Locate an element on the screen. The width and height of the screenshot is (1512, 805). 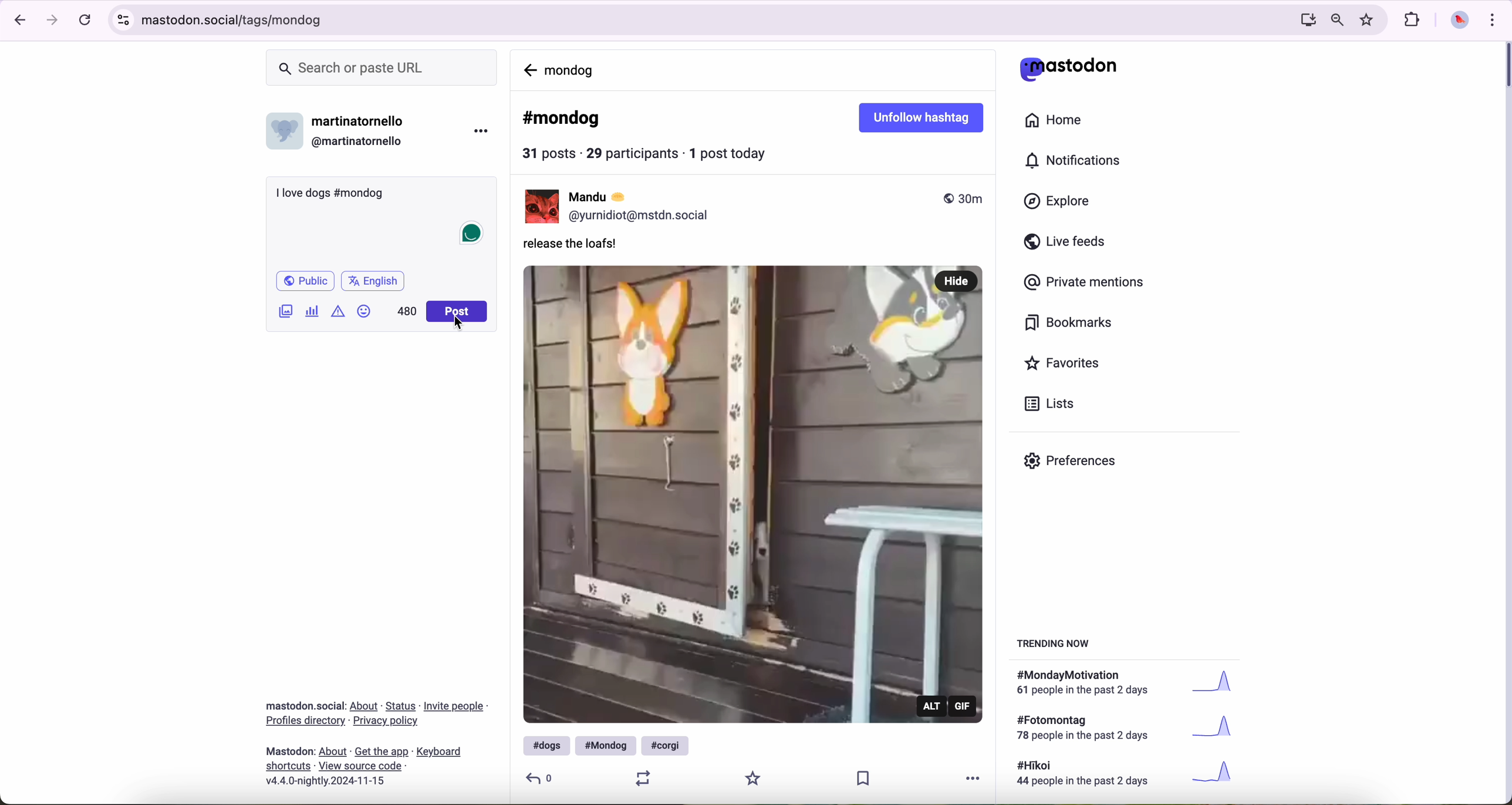
navigate back is located at coordinates (529, 68).